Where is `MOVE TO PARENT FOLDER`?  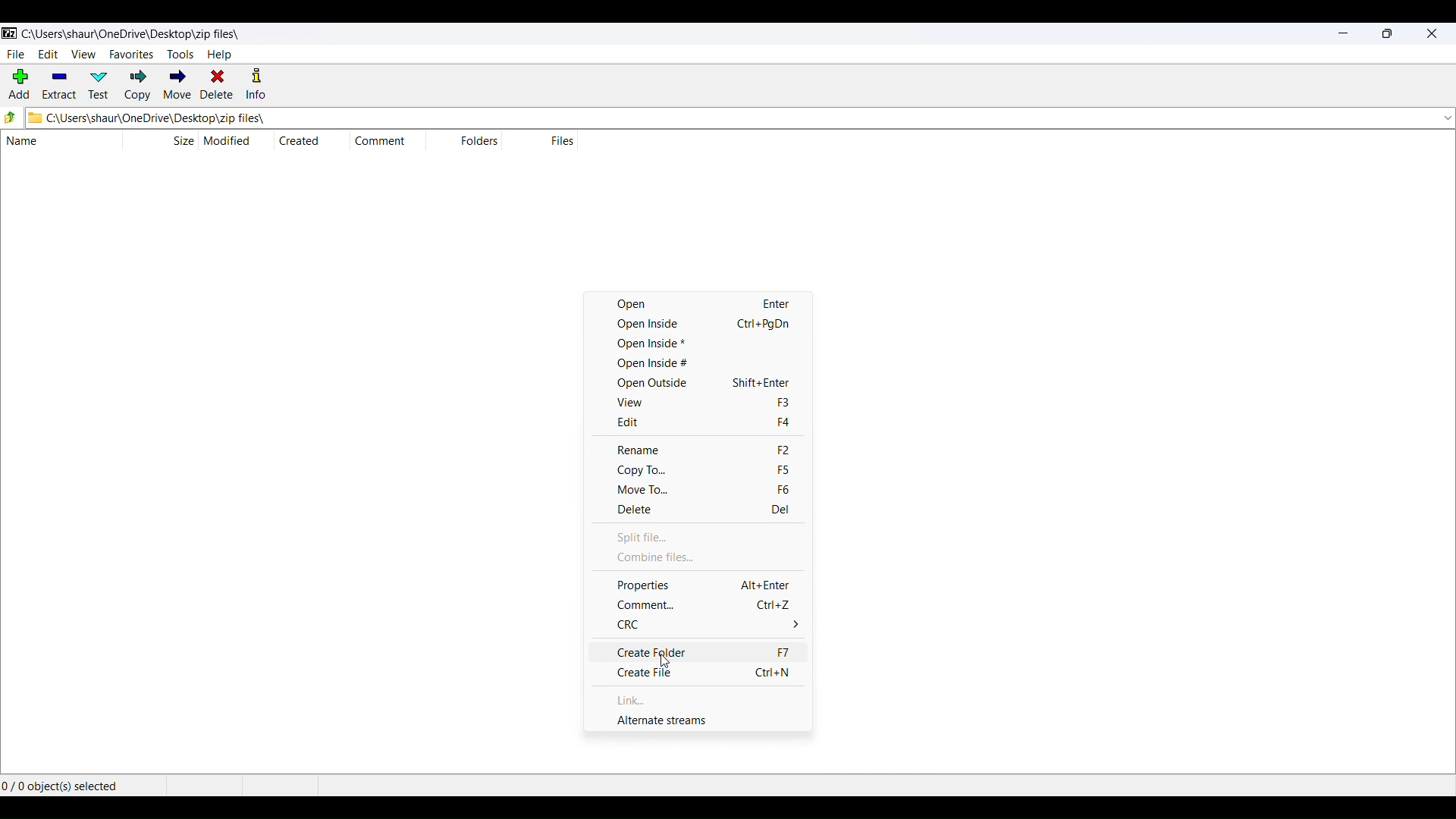 MOVE TO PARENT FOLDER is located at coordinates (11, 118).